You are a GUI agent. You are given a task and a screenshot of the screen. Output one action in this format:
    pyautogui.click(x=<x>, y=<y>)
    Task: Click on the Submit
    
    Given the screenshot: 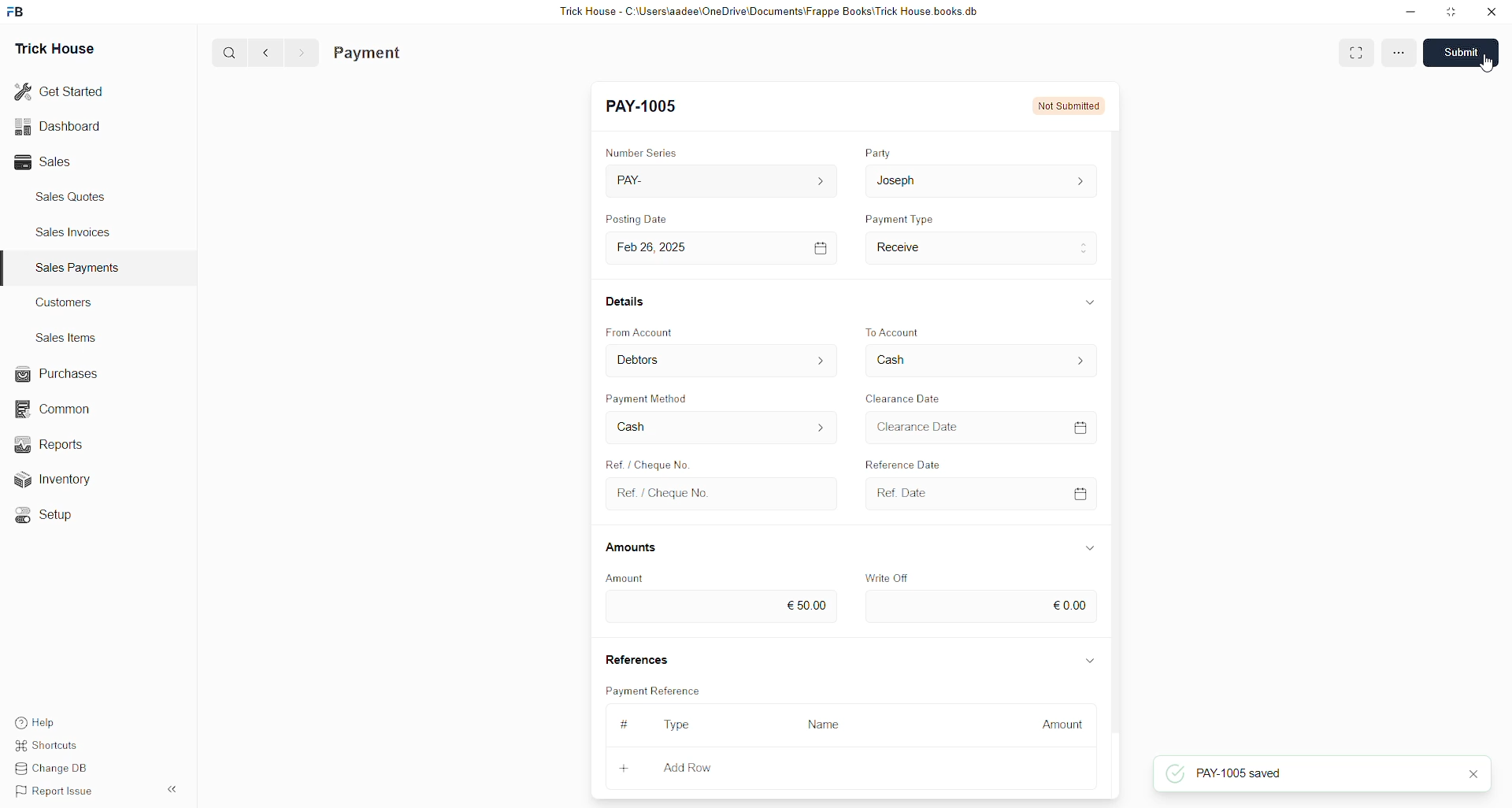 What is the action you would take?
    pyautogui.click(x=1459, y=52)
    